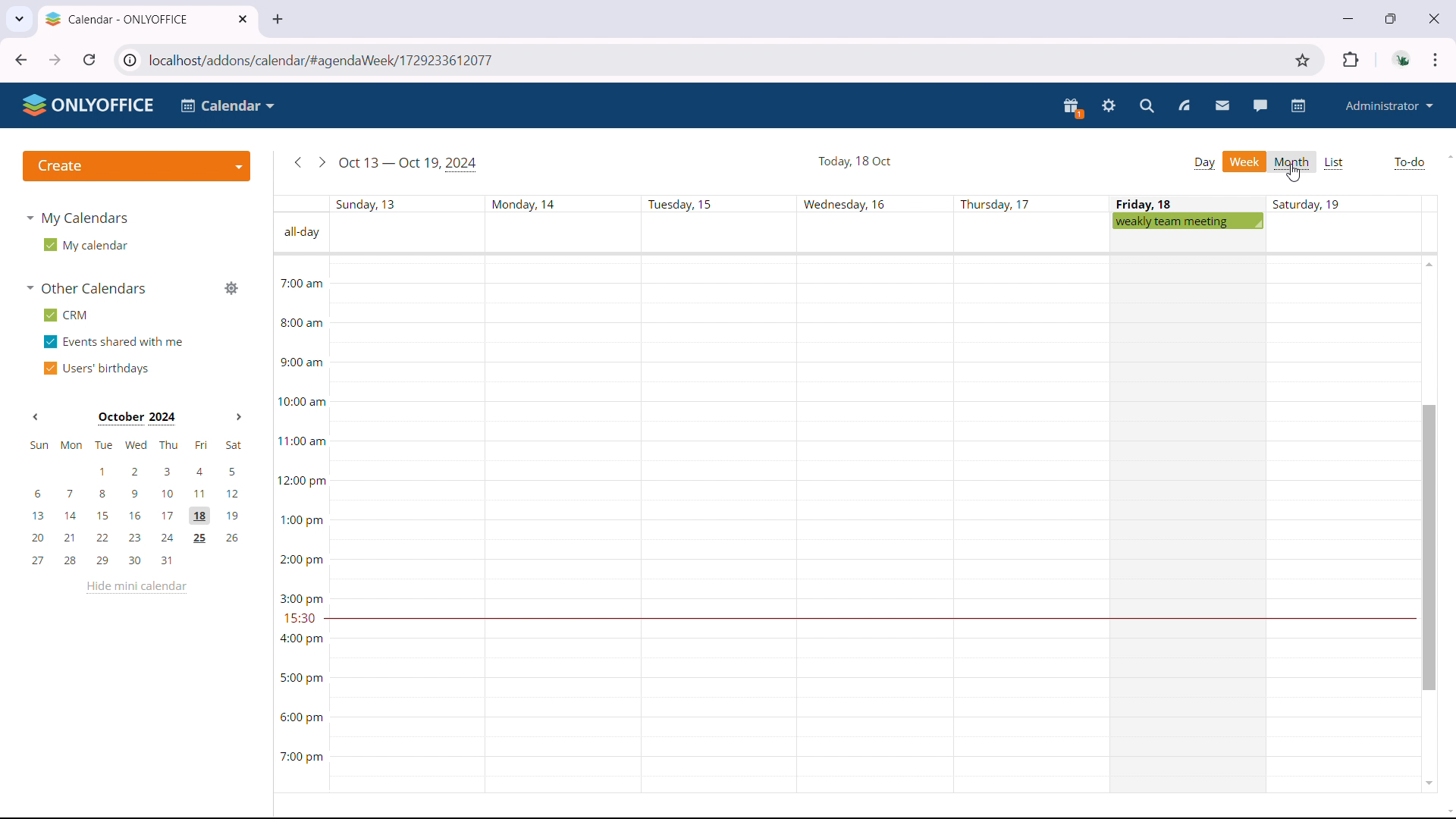  I want to click on present, so click(1072, 108).